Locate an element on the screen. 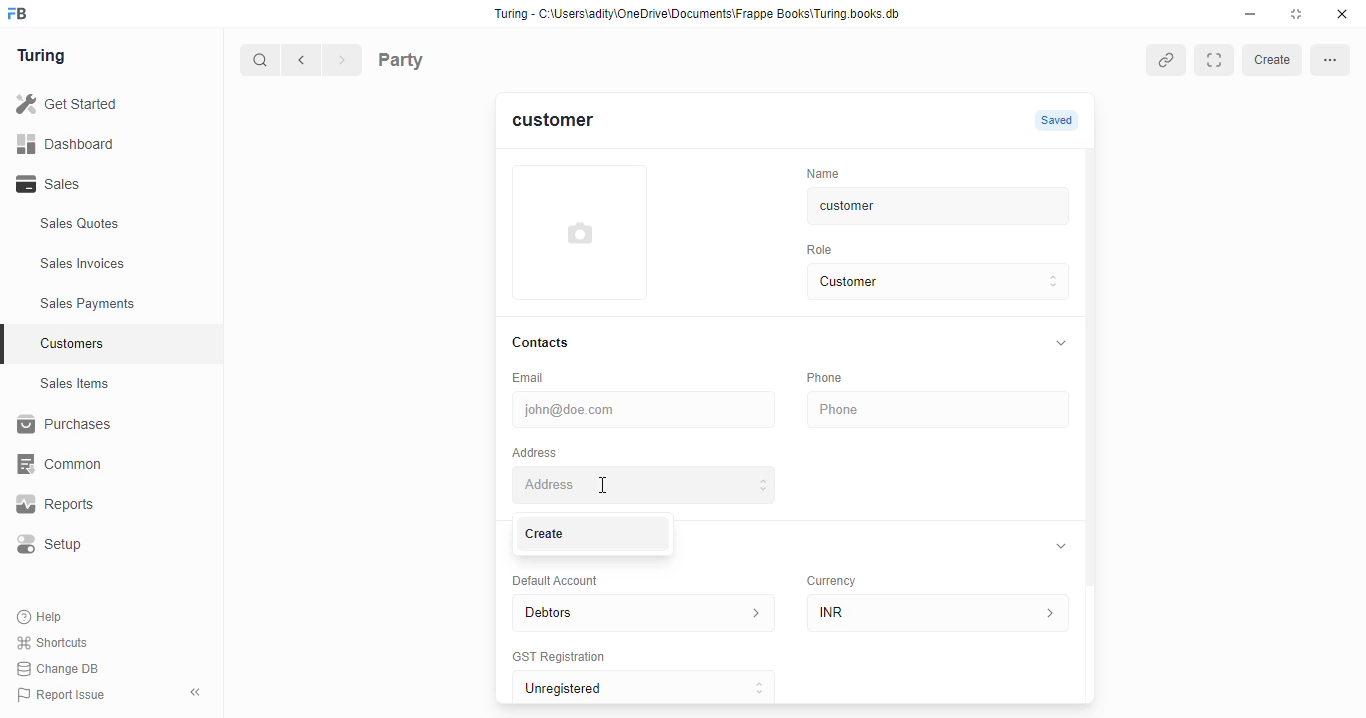 This screenshot has height=718, width=1366. Customer is located at coordinates (915, 282).